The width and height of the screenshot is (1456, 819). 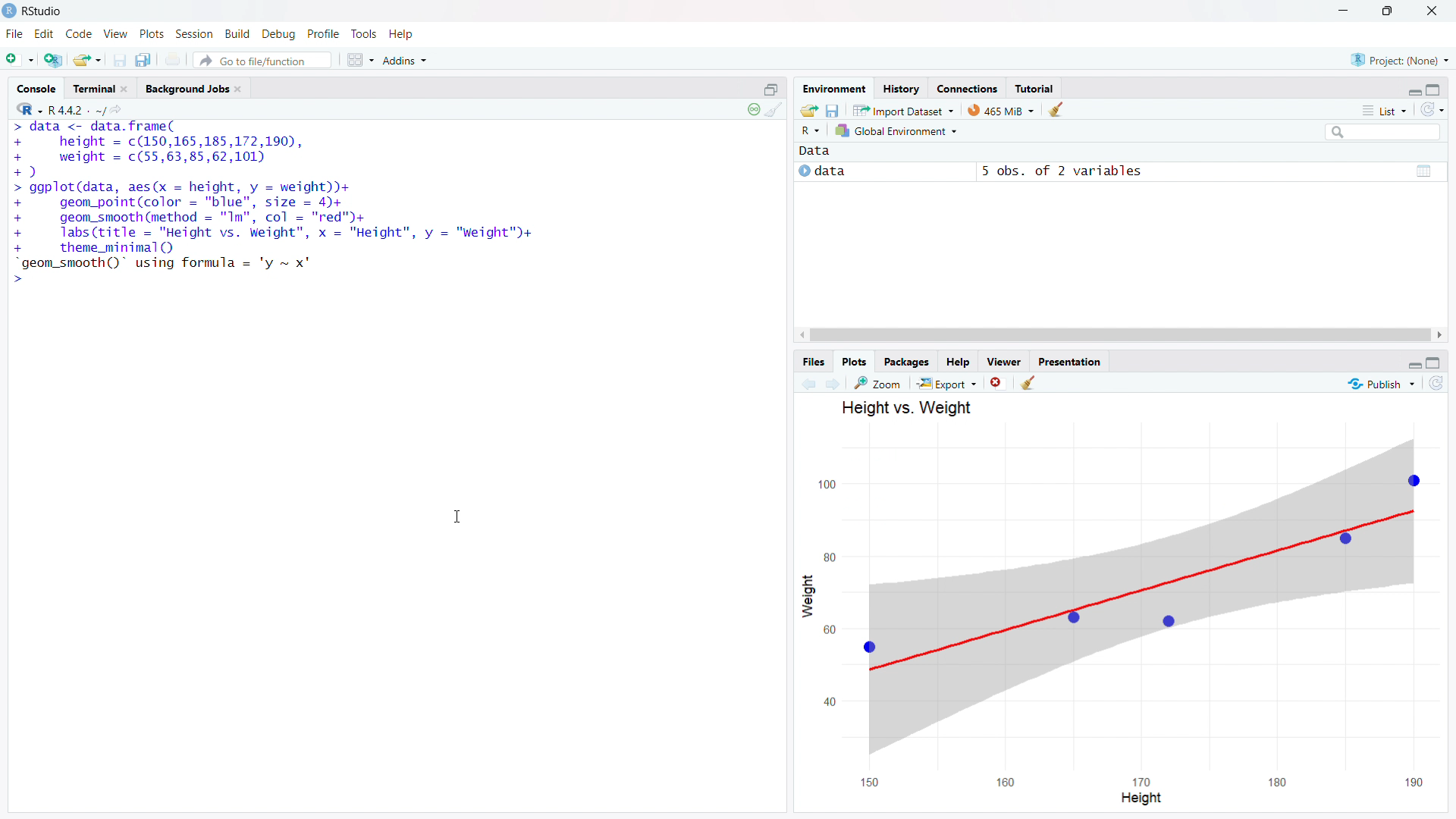 What do you see at coordinates (20, 57) in the screenshot?
I see `new file` at bounding box center [20, 57].